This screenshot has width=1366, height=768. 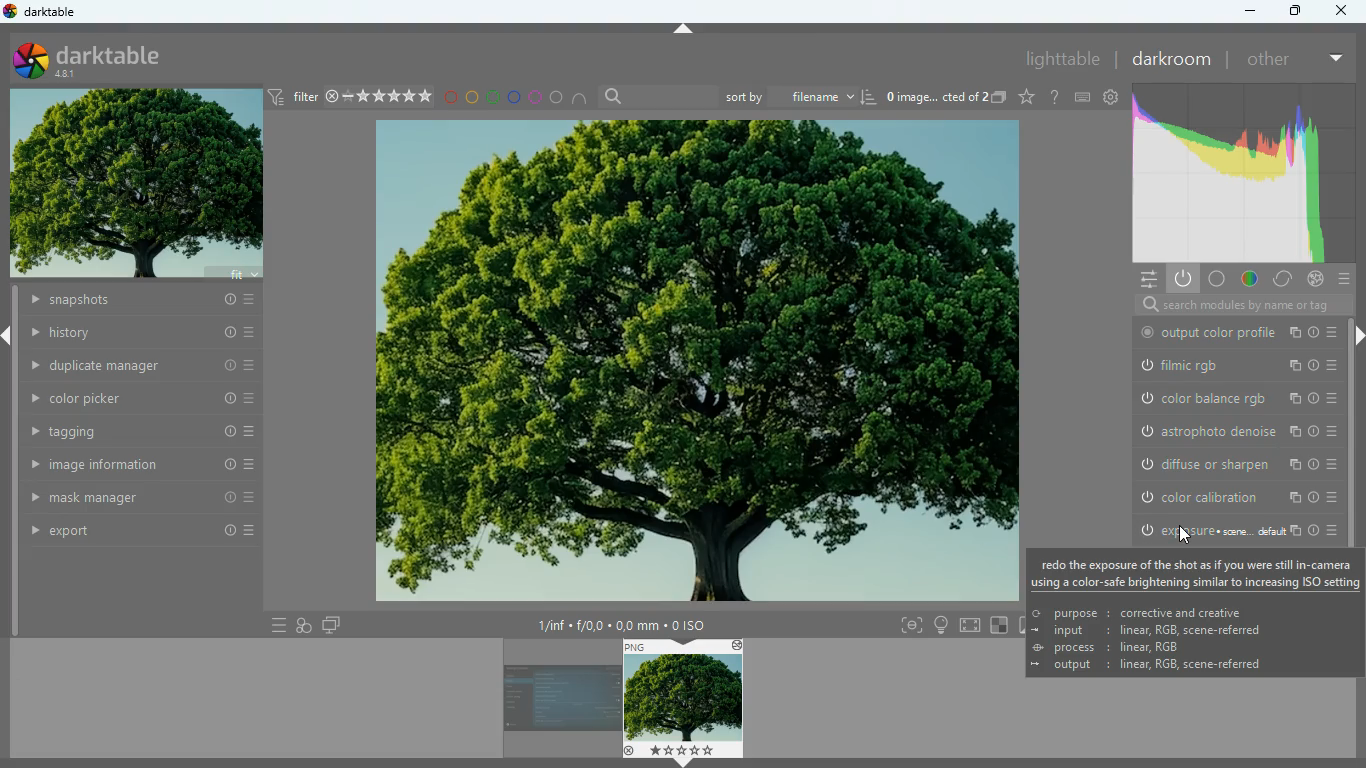 What do you see at coordinates (134, 300) in the screenshot?
I see `history` at bounding box center [134, 300].